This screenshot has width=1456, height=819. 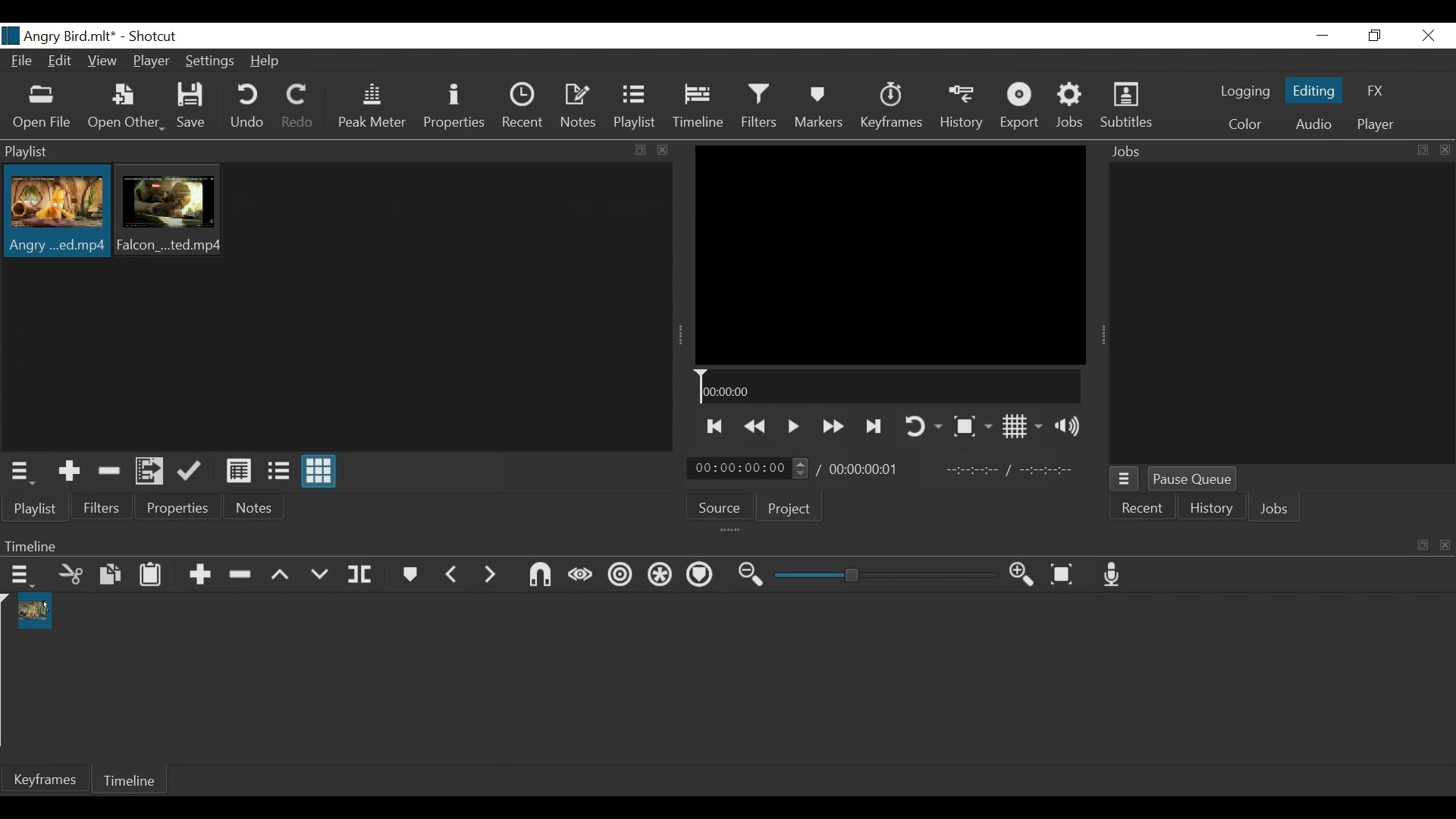 What do you see at coordinates (870, 471) in the screenshot?
I see `Total Duration` at bounding box center [870, 471].